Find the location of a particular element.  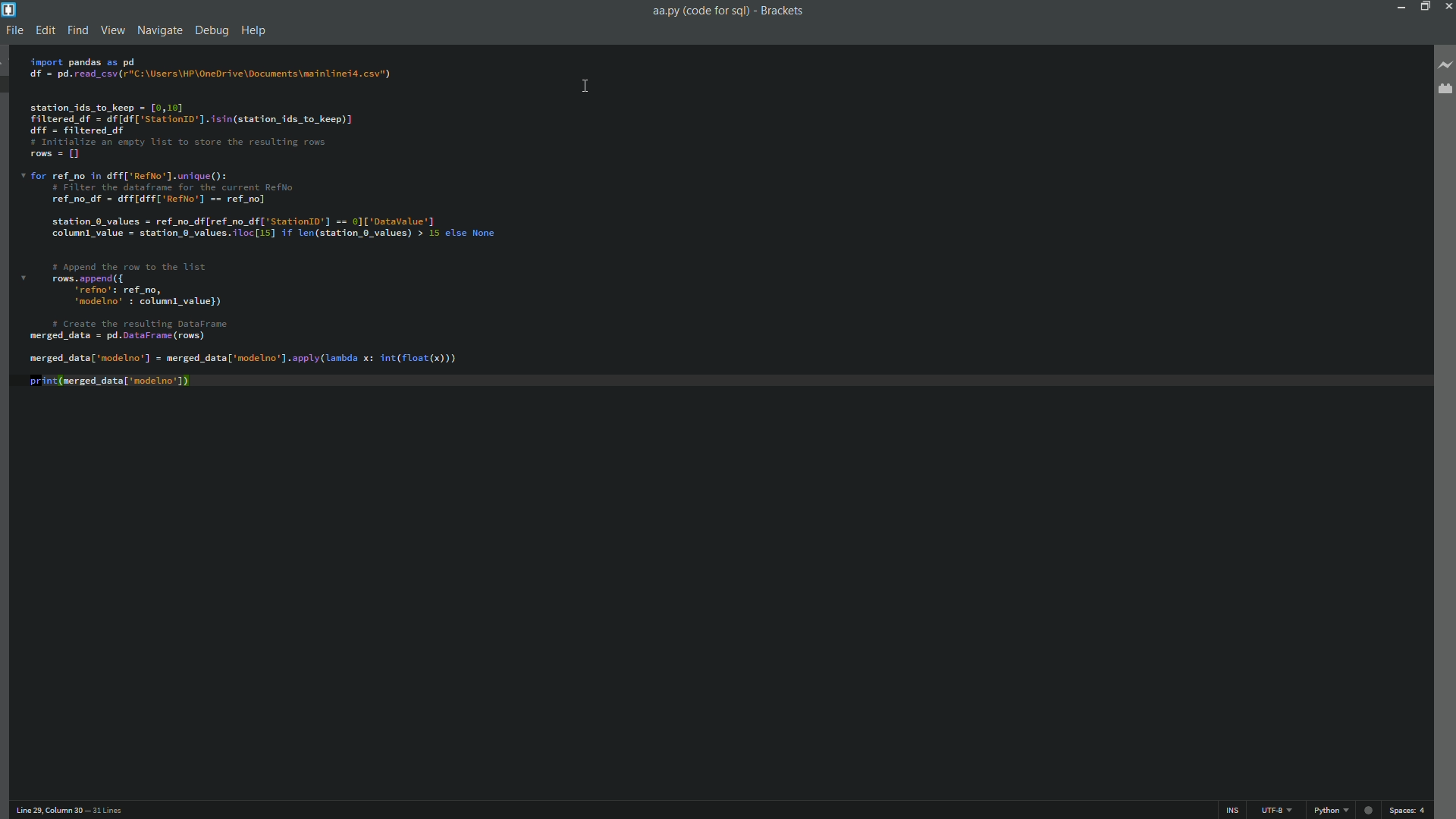

navigate menu is located at coordinates (160, 30).